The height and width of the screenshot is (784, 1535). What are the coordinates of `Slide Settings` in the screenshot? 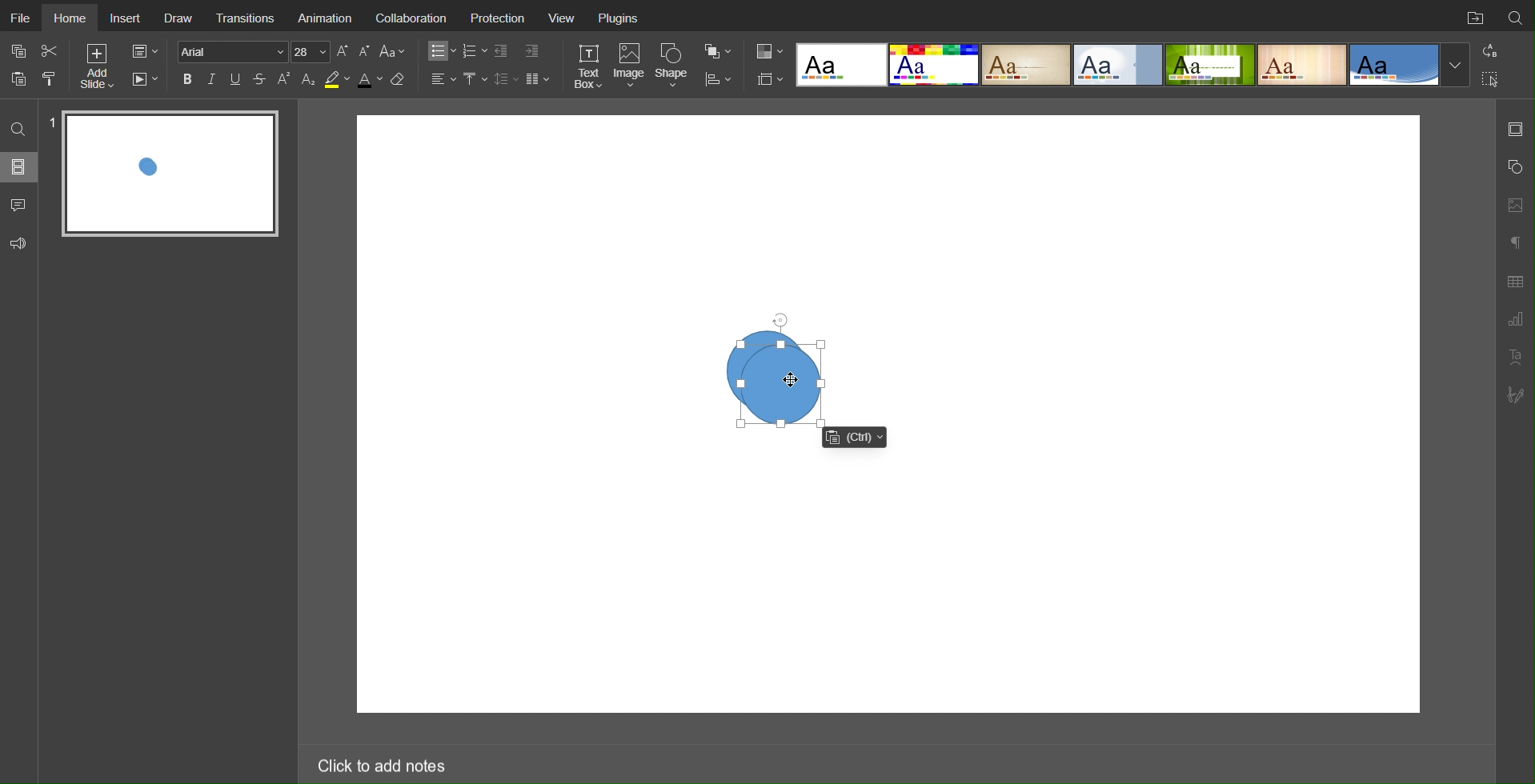 It's located at (143, 52).